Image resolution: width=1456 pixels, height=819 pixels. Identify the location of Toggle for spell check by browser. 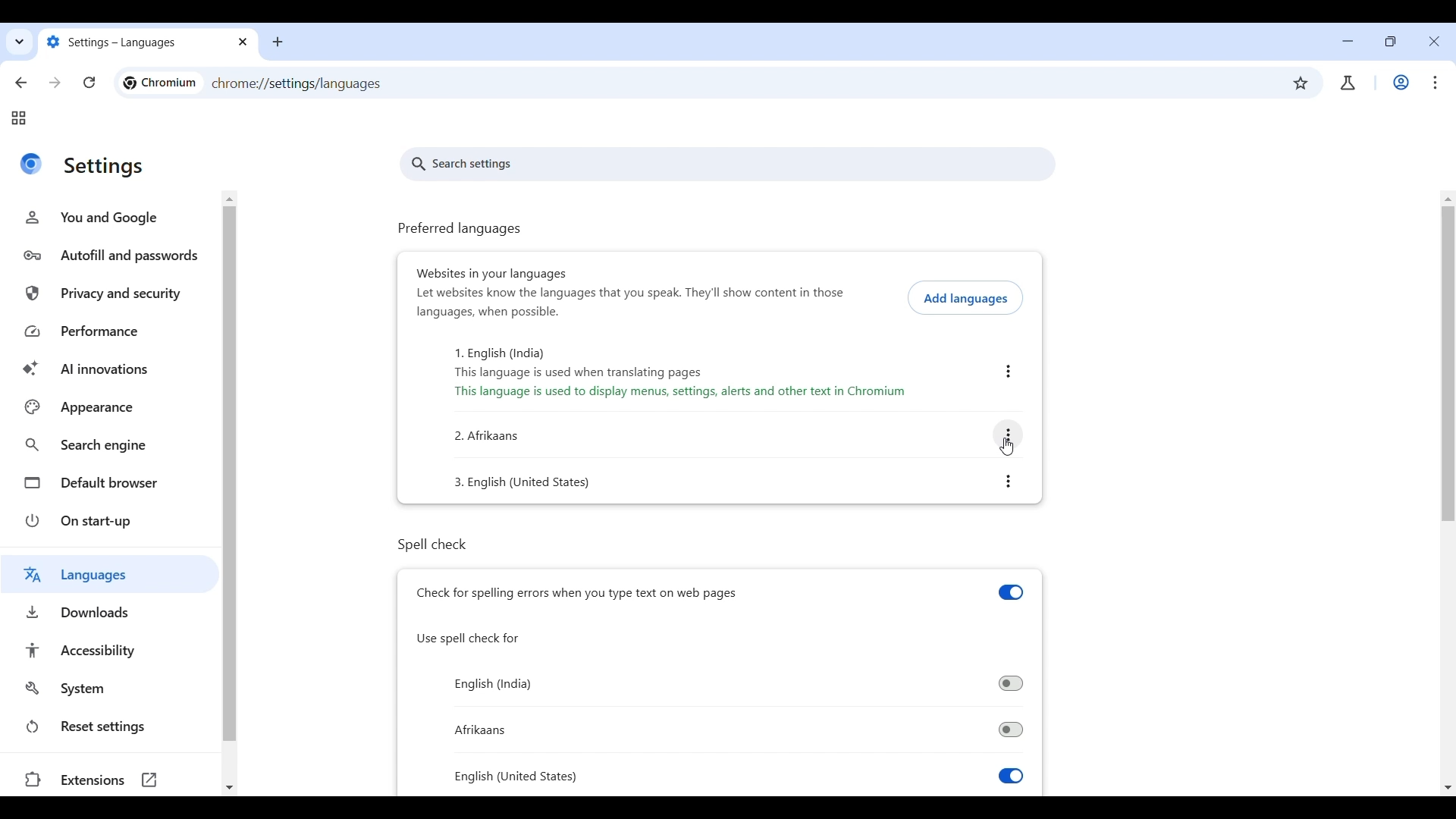
(720, 592).